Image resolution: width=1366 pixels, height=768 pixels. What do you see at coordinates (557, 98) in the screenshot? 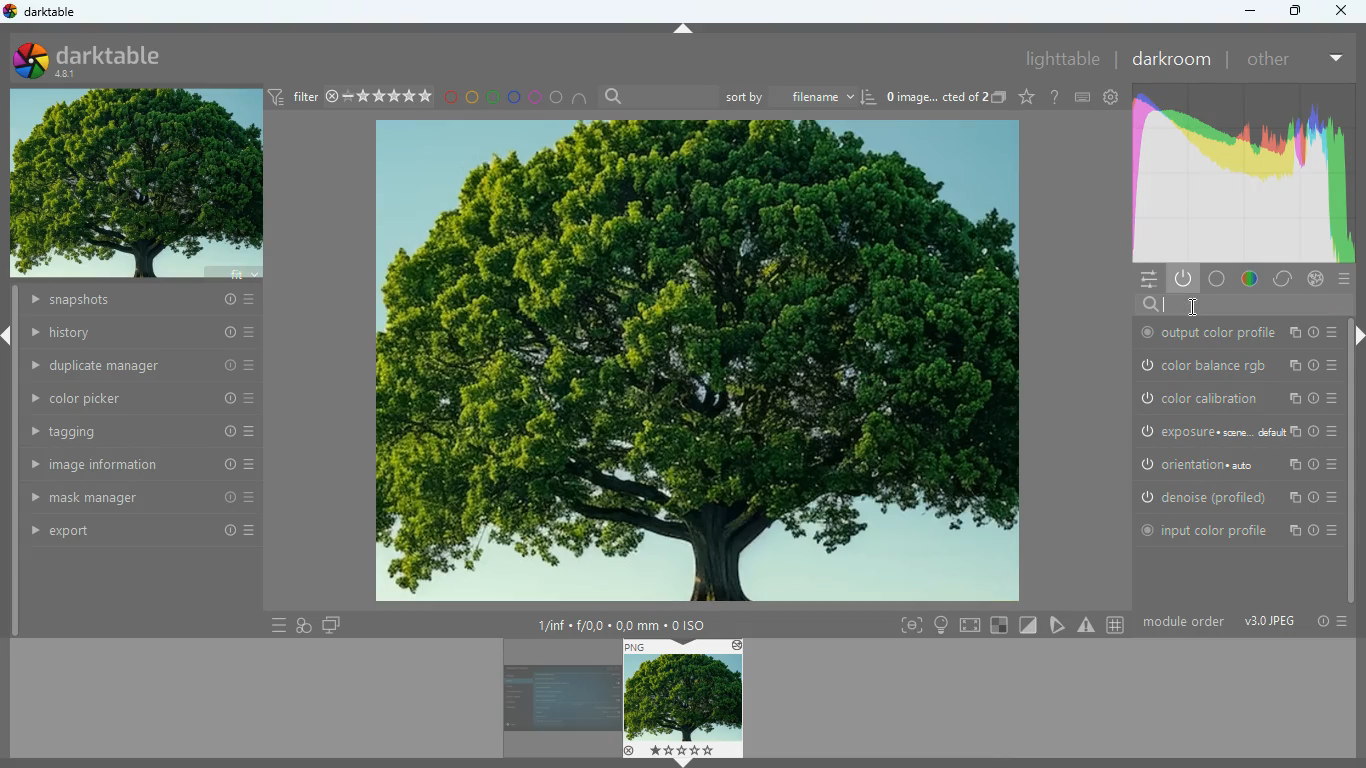
I see `circle` at bounding box center [557, 98].